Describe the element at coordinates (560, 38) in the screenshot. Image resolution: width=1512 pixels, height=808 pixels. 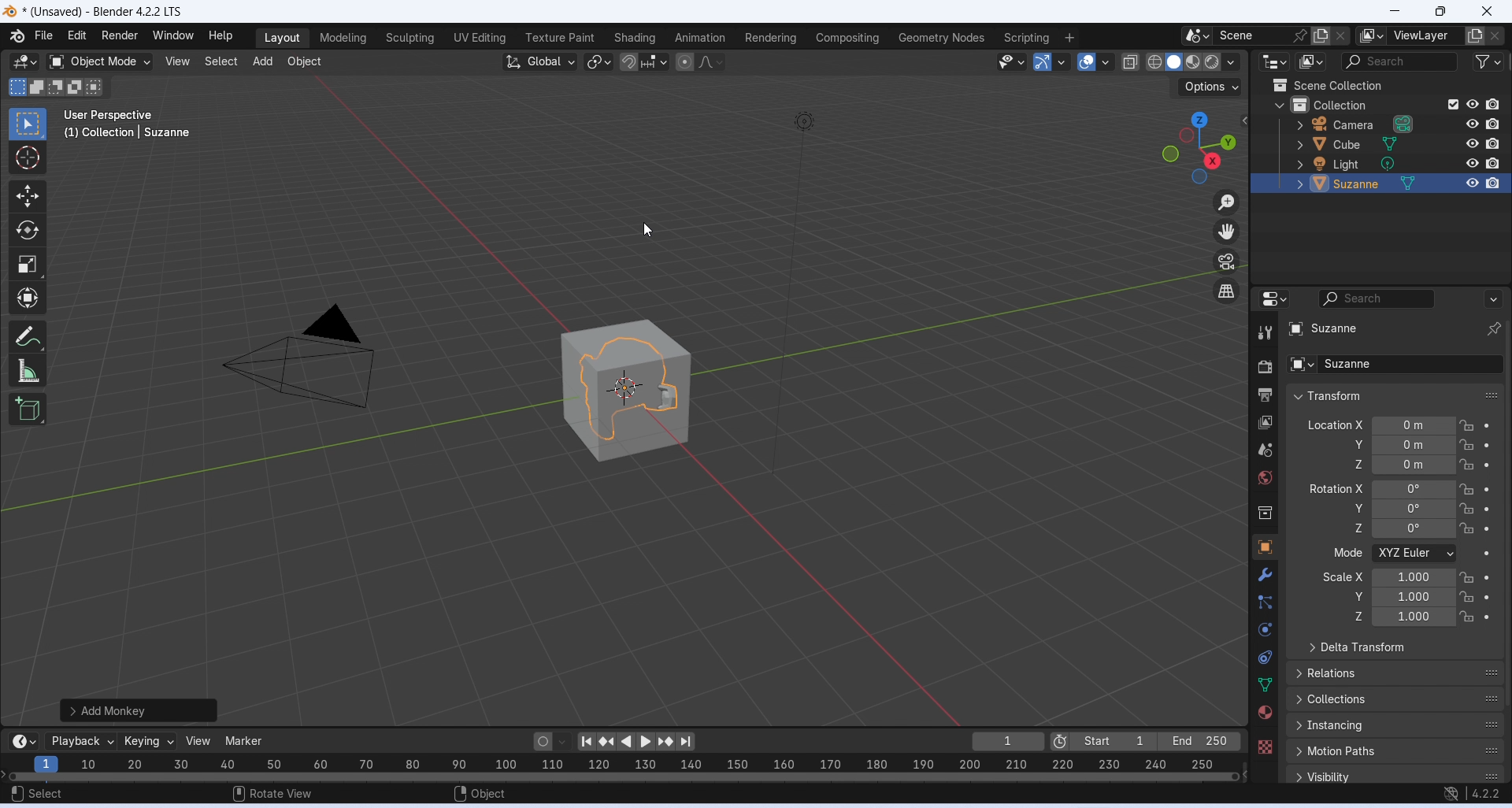
I see `Texture paint` at that location.